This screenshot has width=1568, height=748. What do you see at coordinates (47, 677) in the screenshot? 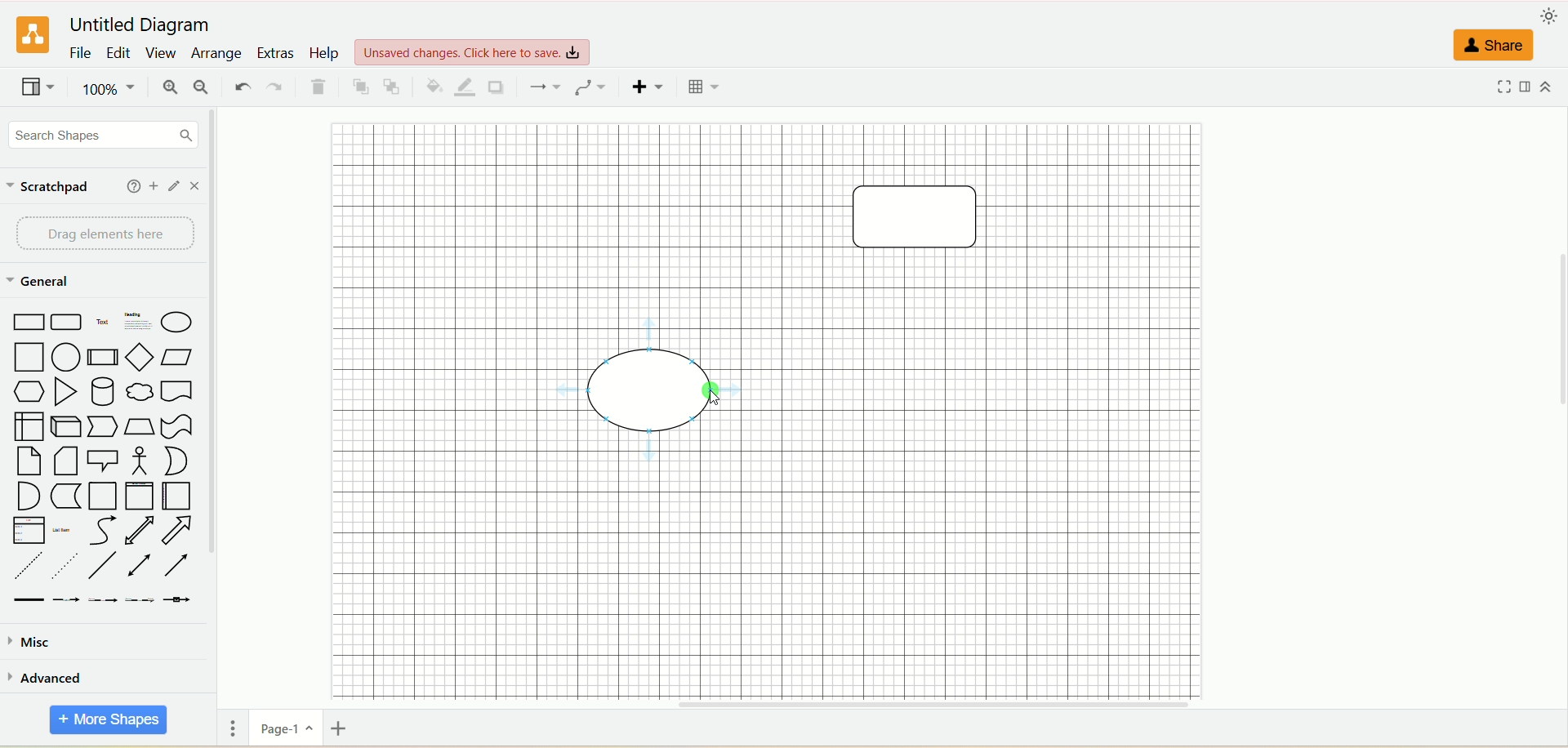
I see `advanced` at bounding box center [47, 677].